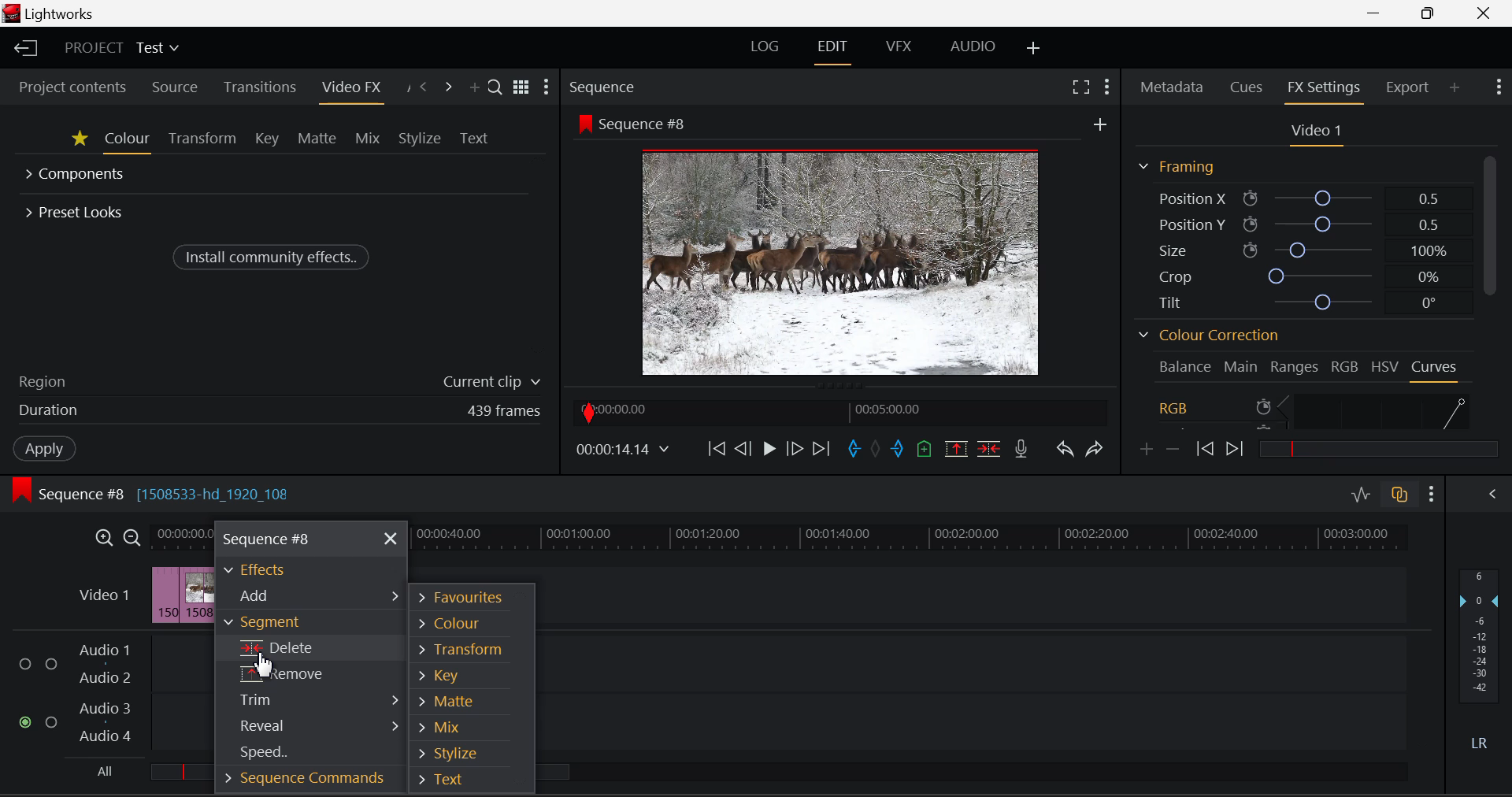  What do you see at coordinates (1432, 495) in the screenshot?
I see `show Settings` at bounding box center [1432, 495].